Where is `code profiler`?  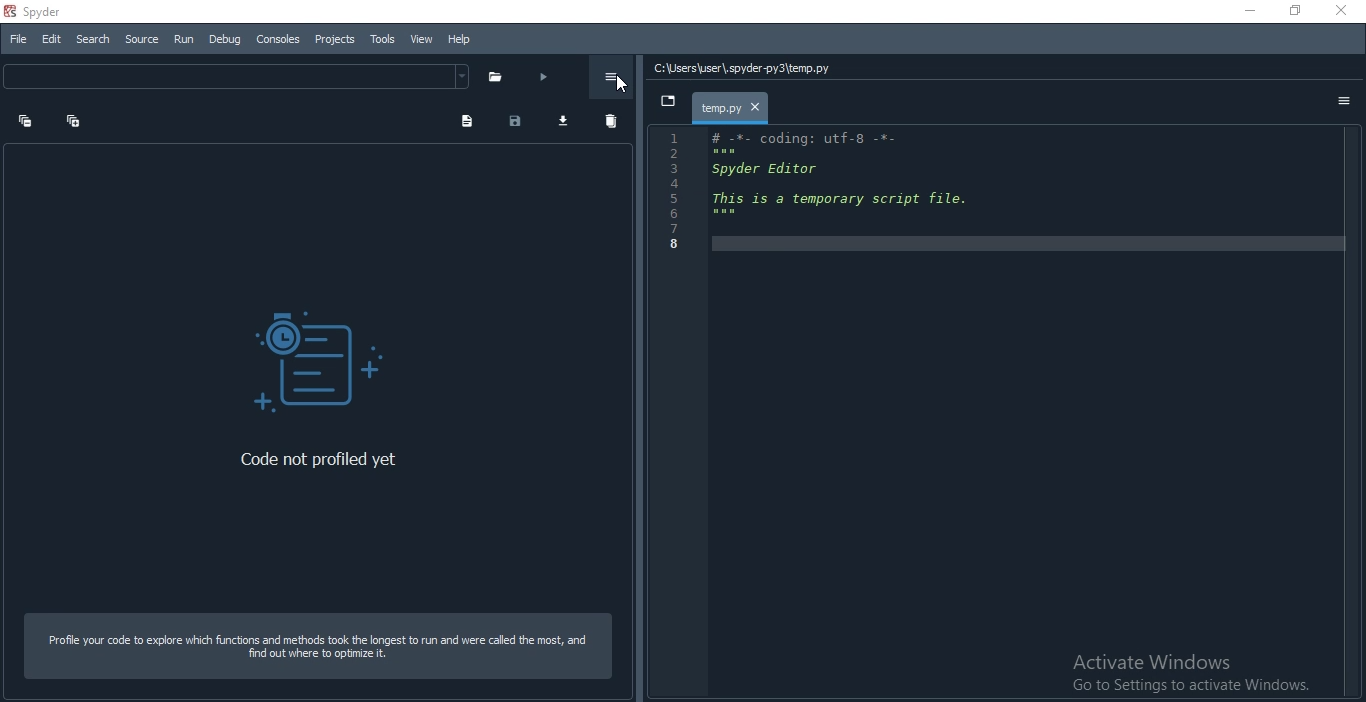 code profiler is located at coordinates (302, 349).